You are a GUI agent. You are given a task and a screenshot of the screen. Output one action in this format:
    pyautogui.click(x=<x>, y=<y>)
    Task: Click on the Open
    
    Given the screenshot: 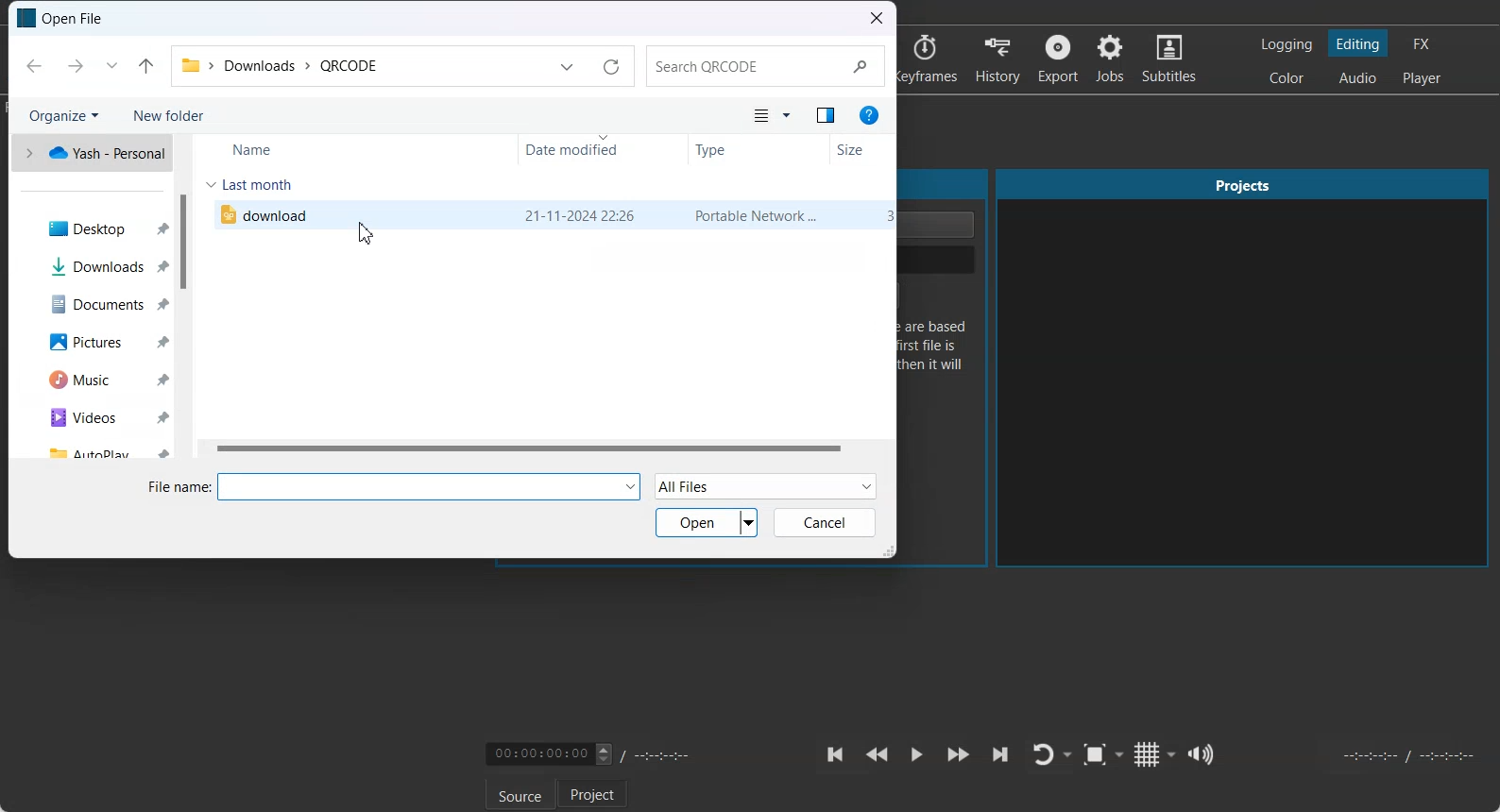 What is the action you would take?
    pyautogui.click(x=707, y=523)
    